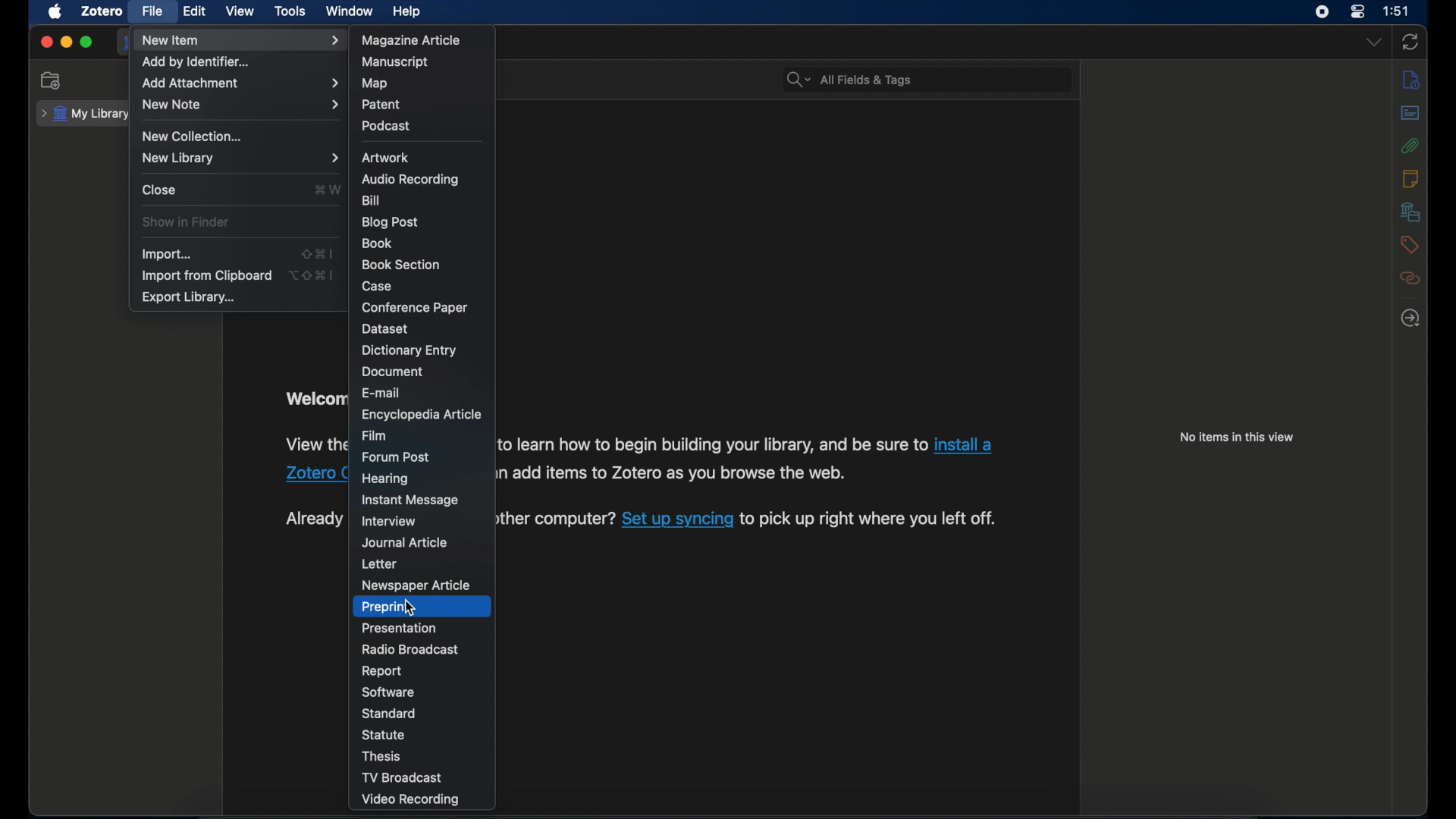 The image size is (1456, 819). I want to click on libraries, so click(1410, 212).